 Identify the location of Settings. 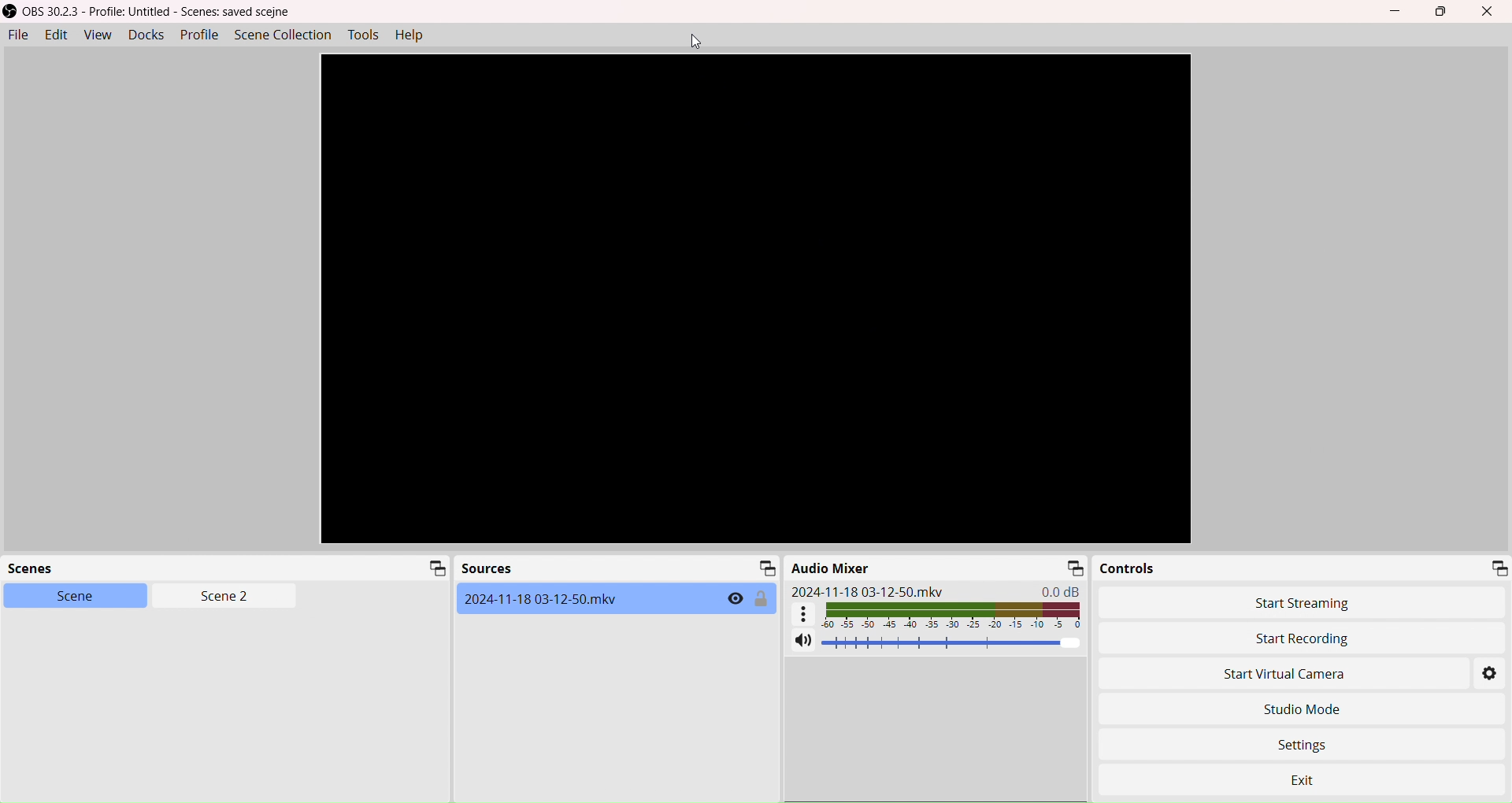
(1312, 742).